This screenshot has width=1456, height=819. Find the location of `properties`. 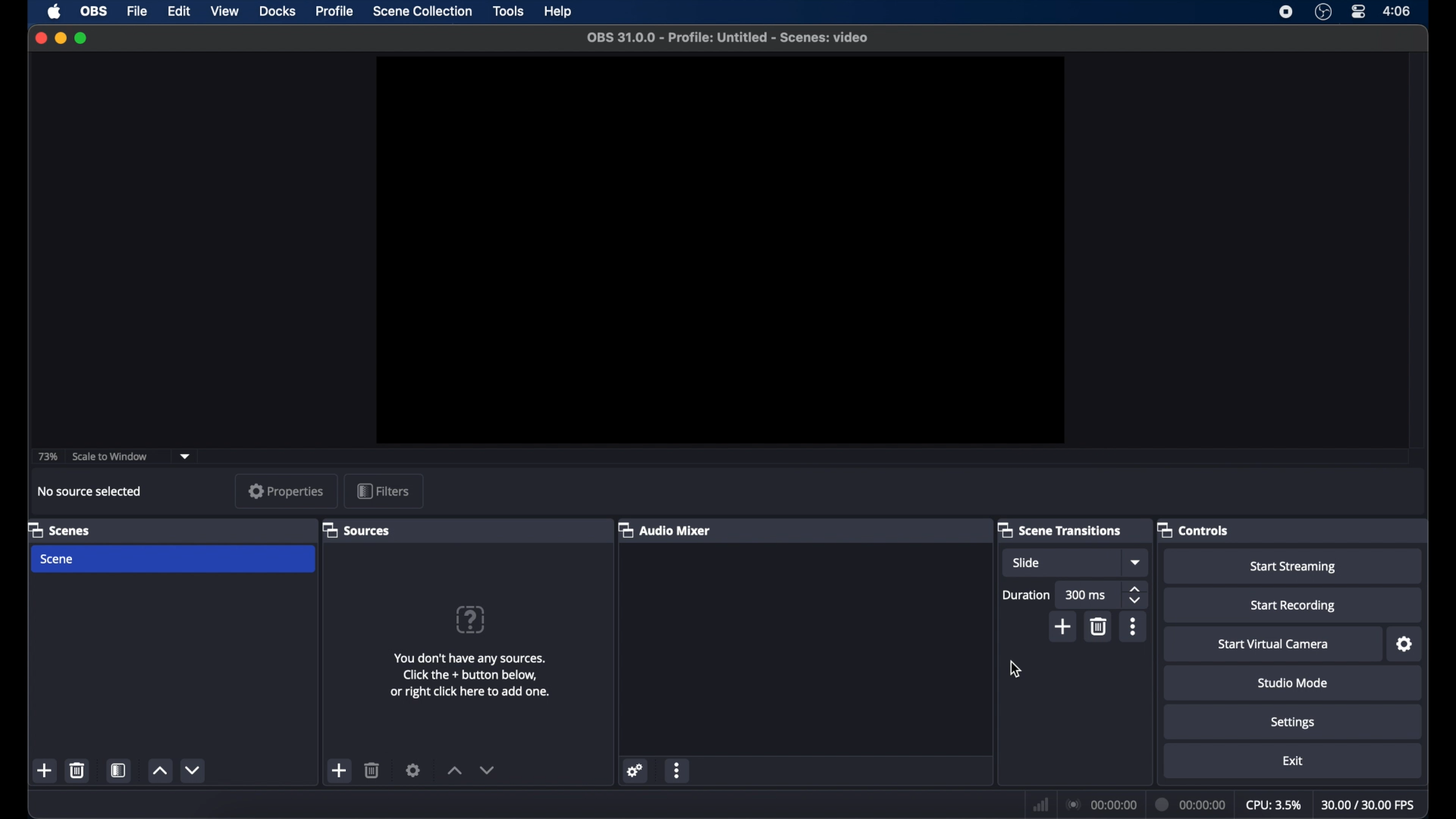

properties is located at coordinates (285, 491).